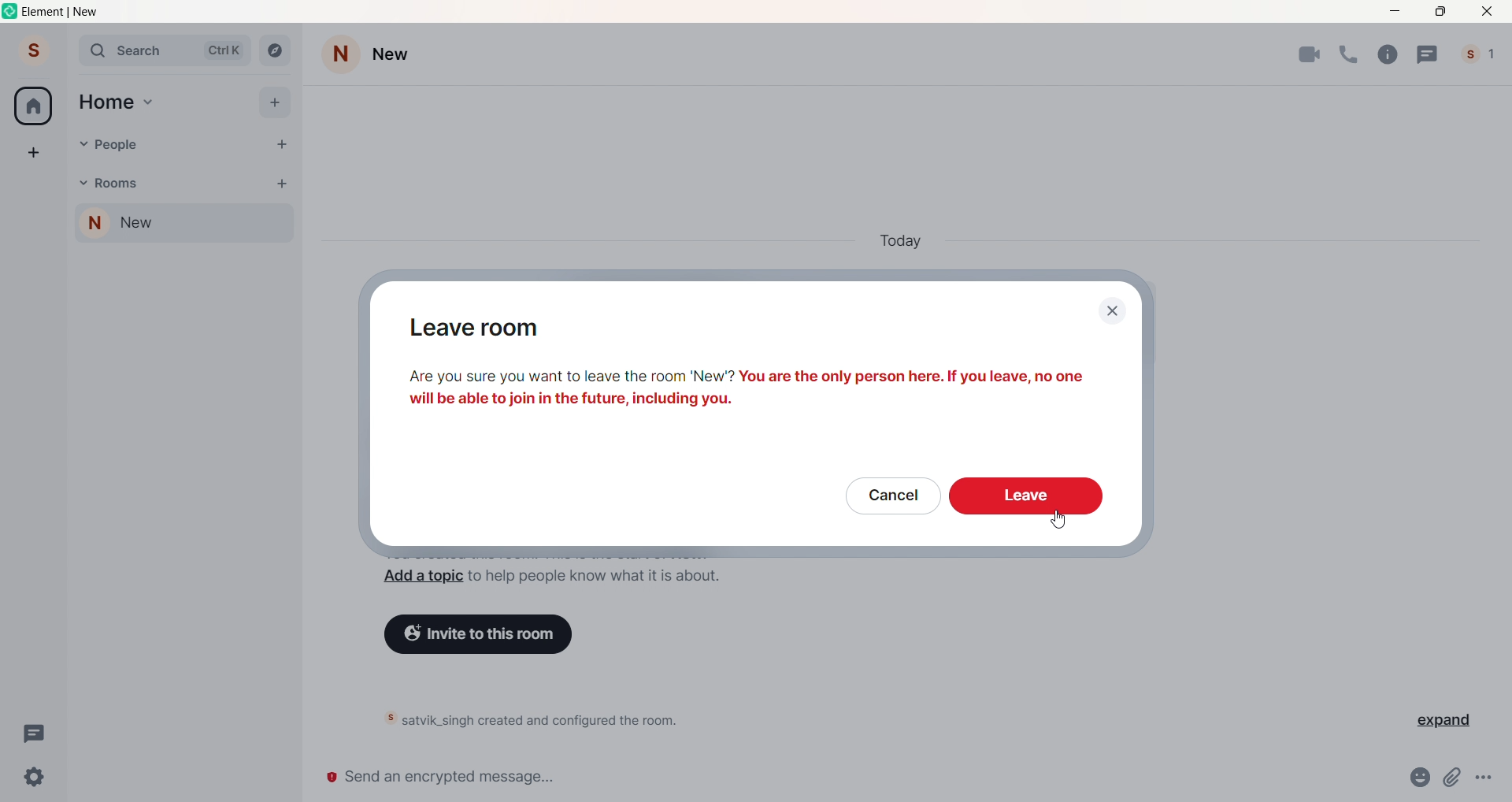 This screenshot has height=802, width=1512. I want to click on maximize, so click(1440, 13).